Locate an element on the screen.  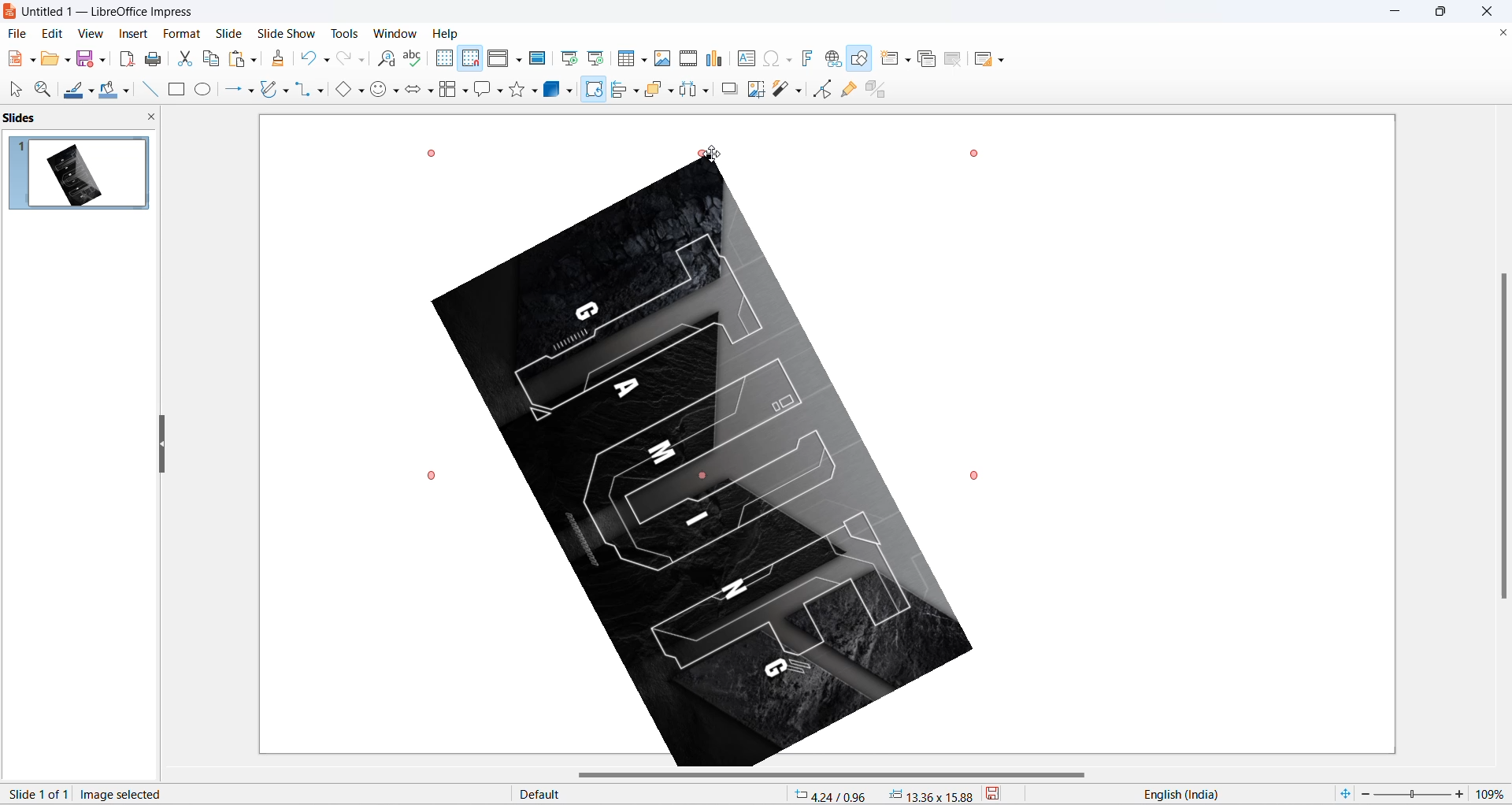
basic shapes options is located at coordinates (360, 90).